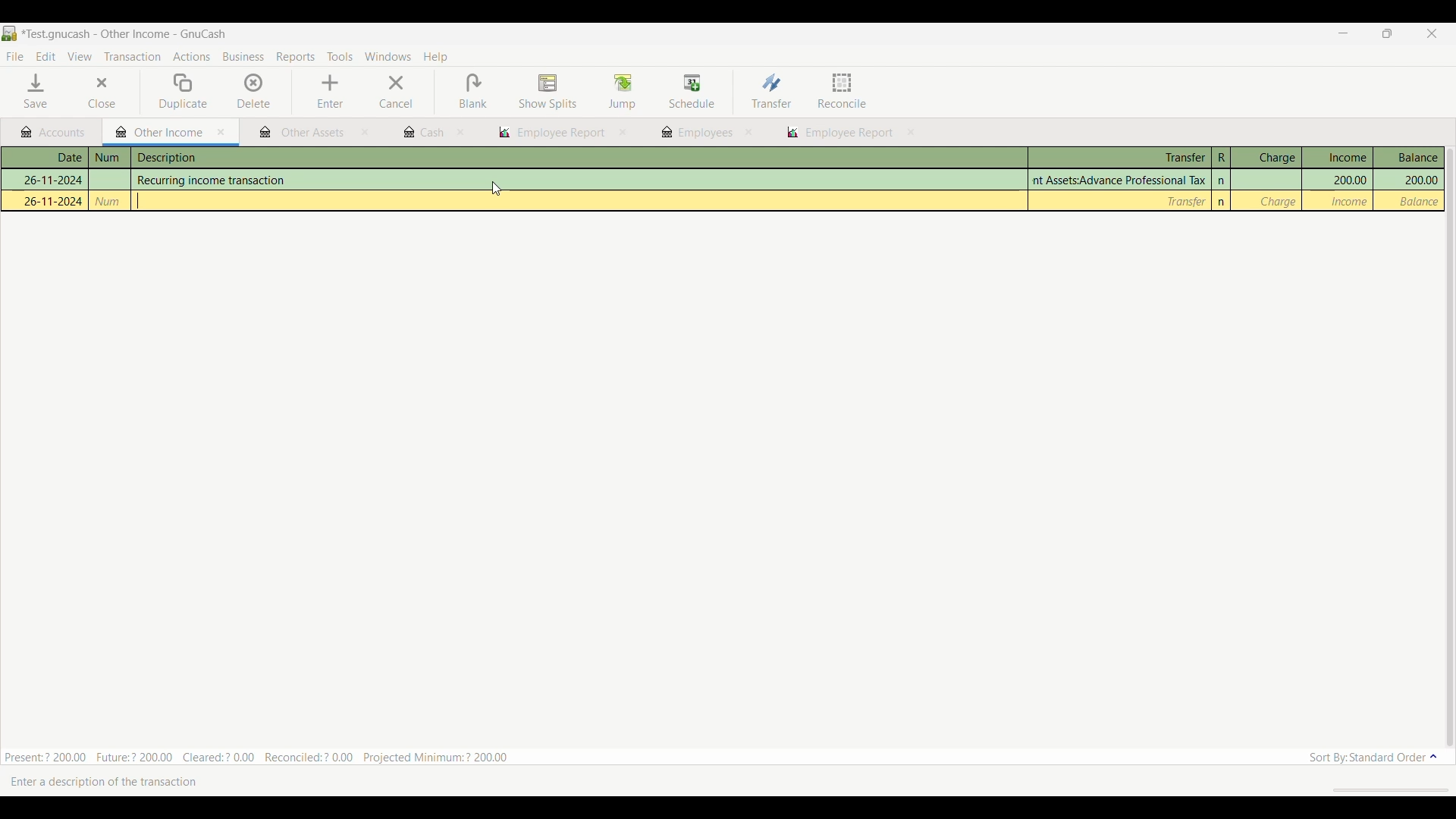 The height and width of the screenshot is (819, 1456). Describe the element at coordinates (1450, 447) in the screenshot. I see `Vertical slide bar` at that location.